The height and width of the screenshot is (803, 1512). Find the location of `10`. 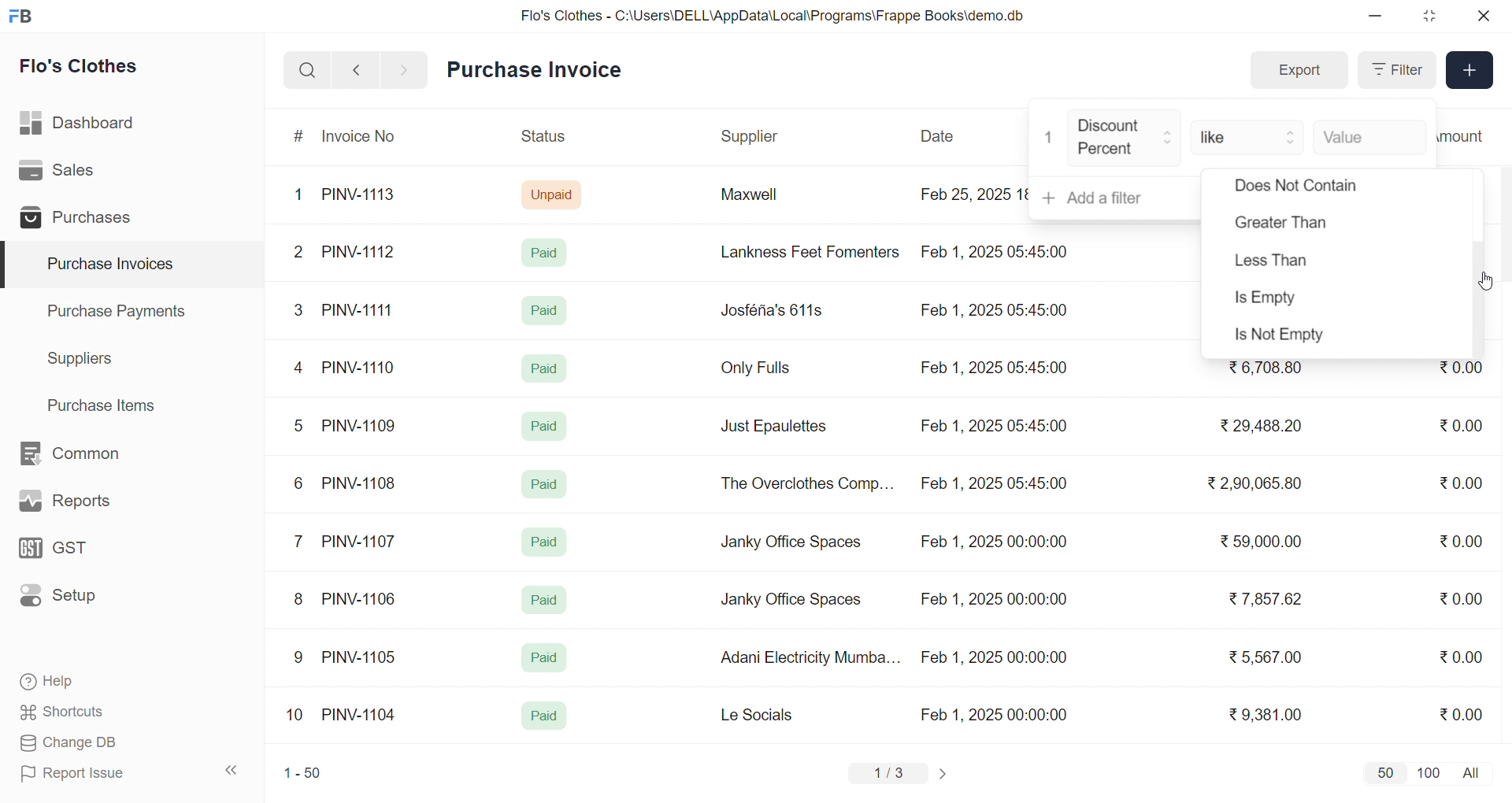

10 is located at coordinates (298, 716).